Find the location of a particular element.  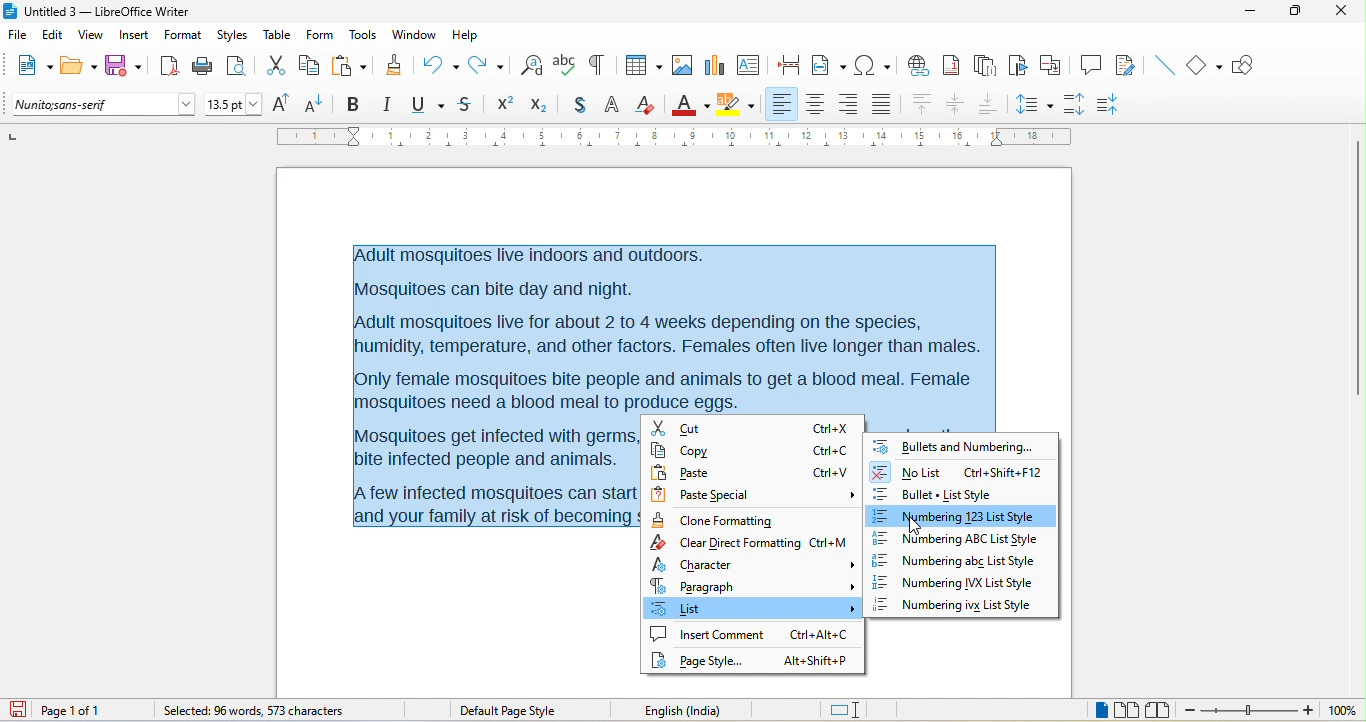

set line spacing is located at coordinates (1035, 103).